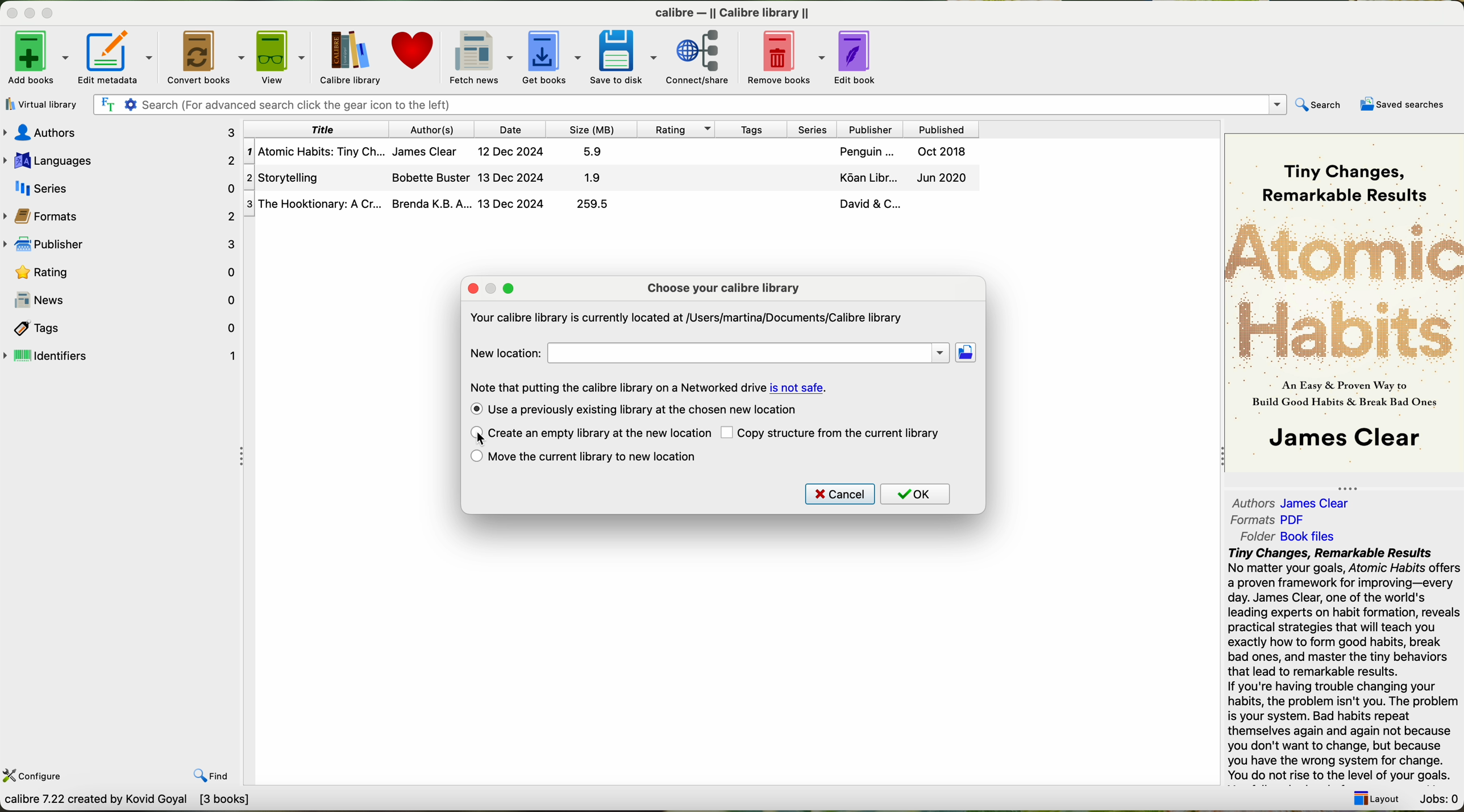  What do you see at coordinates (750, 353) in the screenshot?
I see `New location path` at bounding box center [750, 353].